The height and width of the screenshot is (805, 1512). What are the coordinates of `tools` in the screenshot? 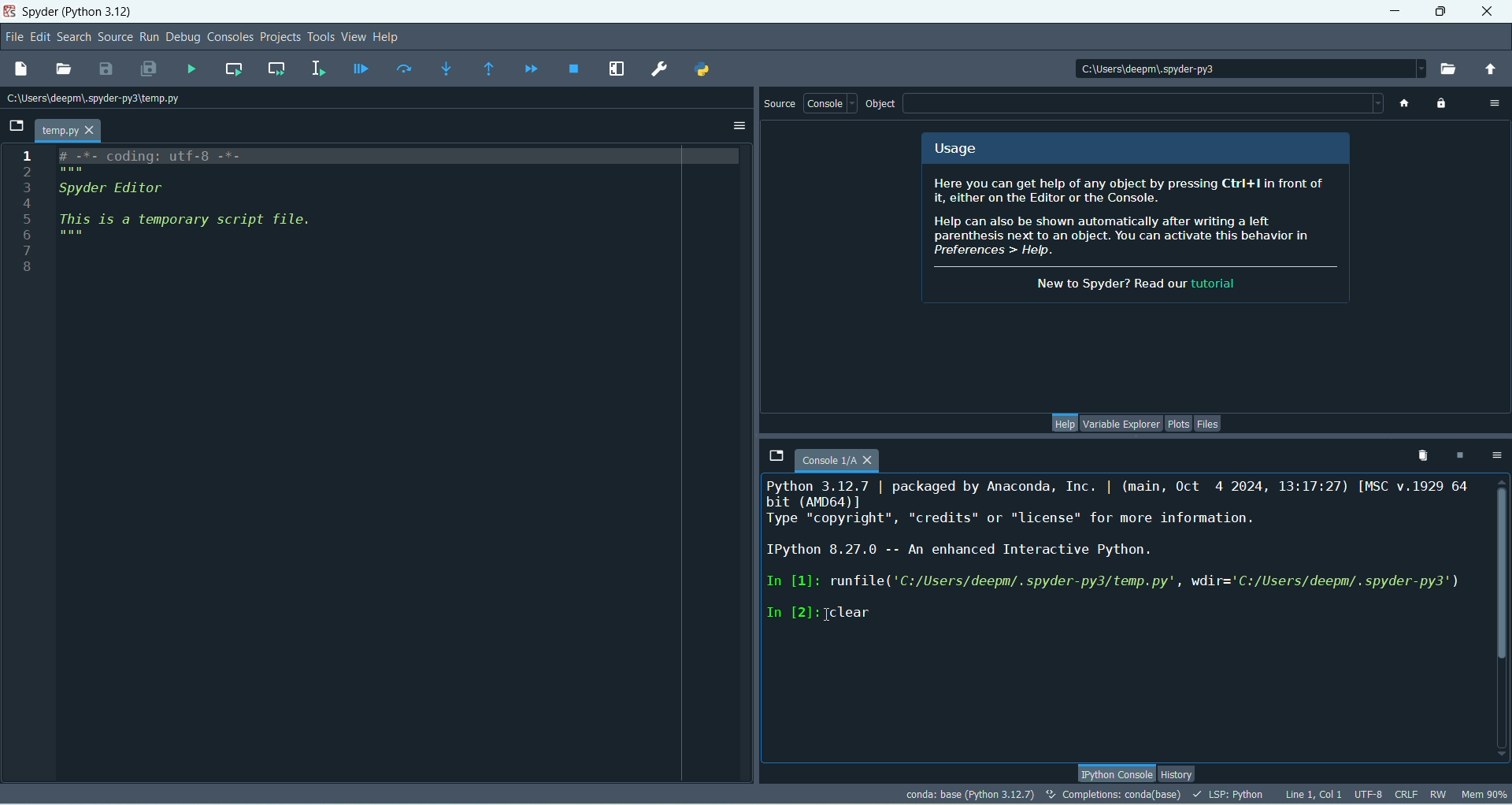 It's located at (321, 37).